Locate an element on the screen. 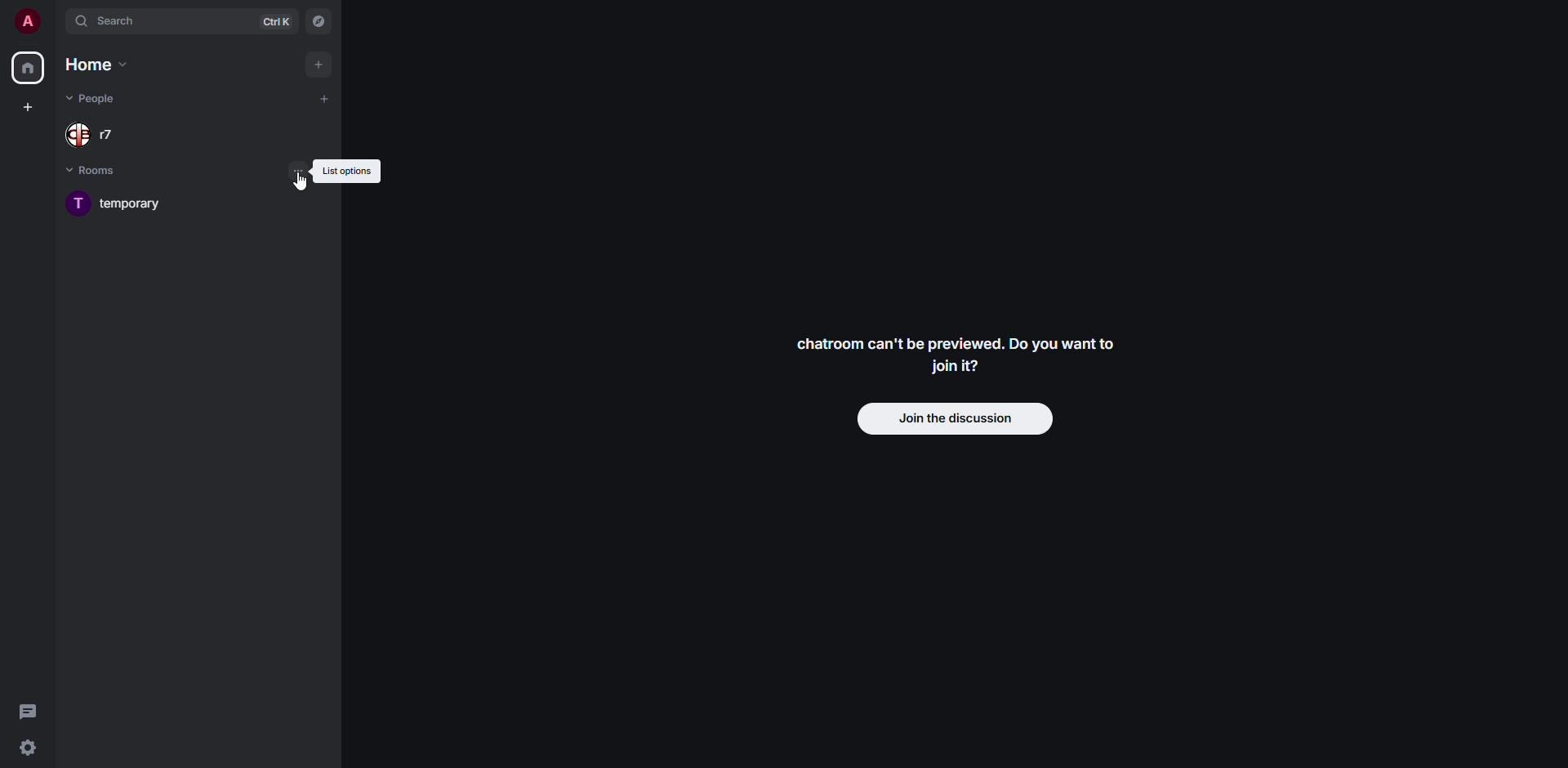 The height and width of the screenshot is (768, 1568). search is located at coordinates (114, 20).